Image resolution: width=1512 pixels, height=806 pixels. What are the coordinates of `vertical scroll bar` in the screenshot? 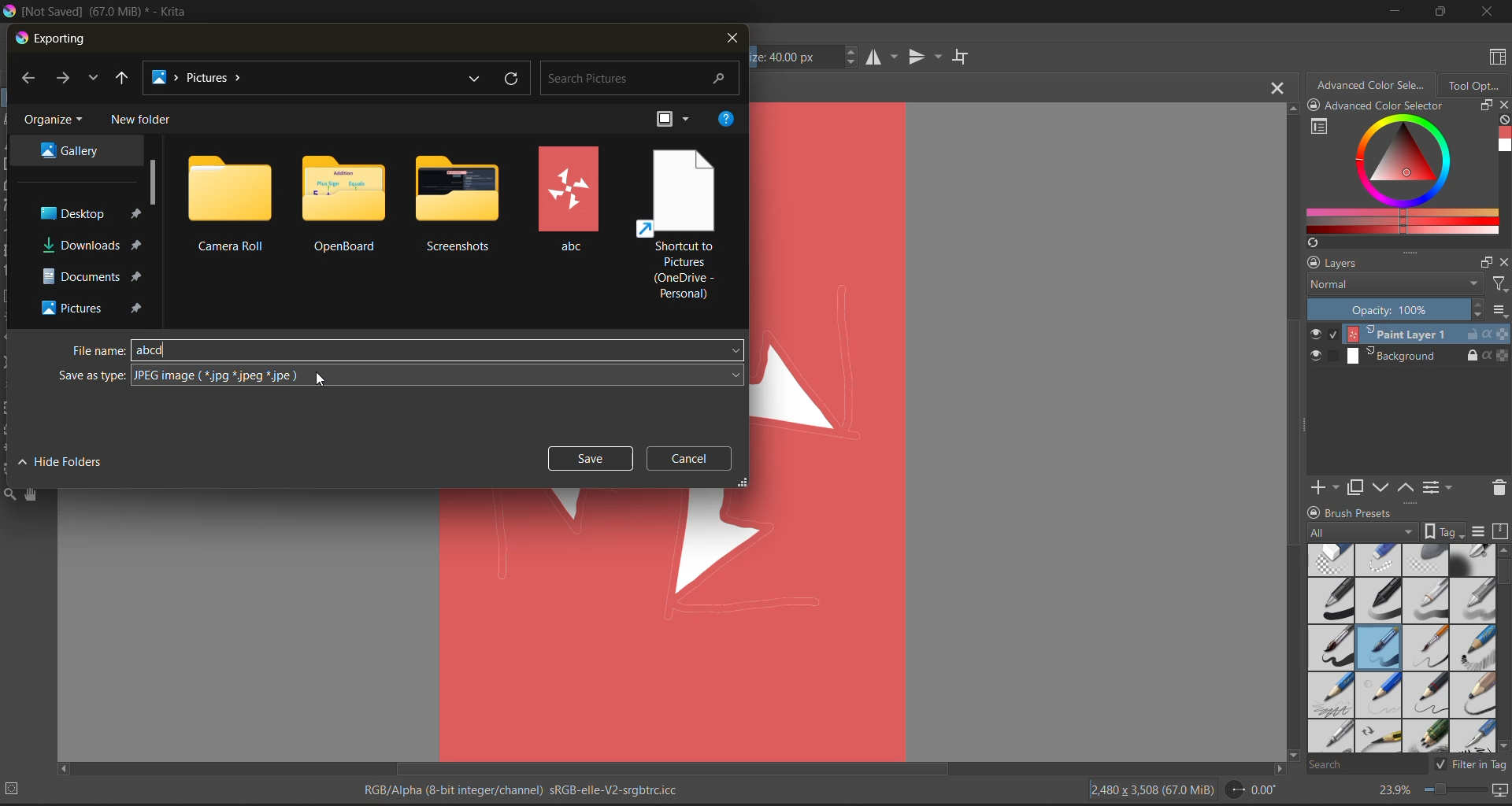 It's located at (1289, 433).